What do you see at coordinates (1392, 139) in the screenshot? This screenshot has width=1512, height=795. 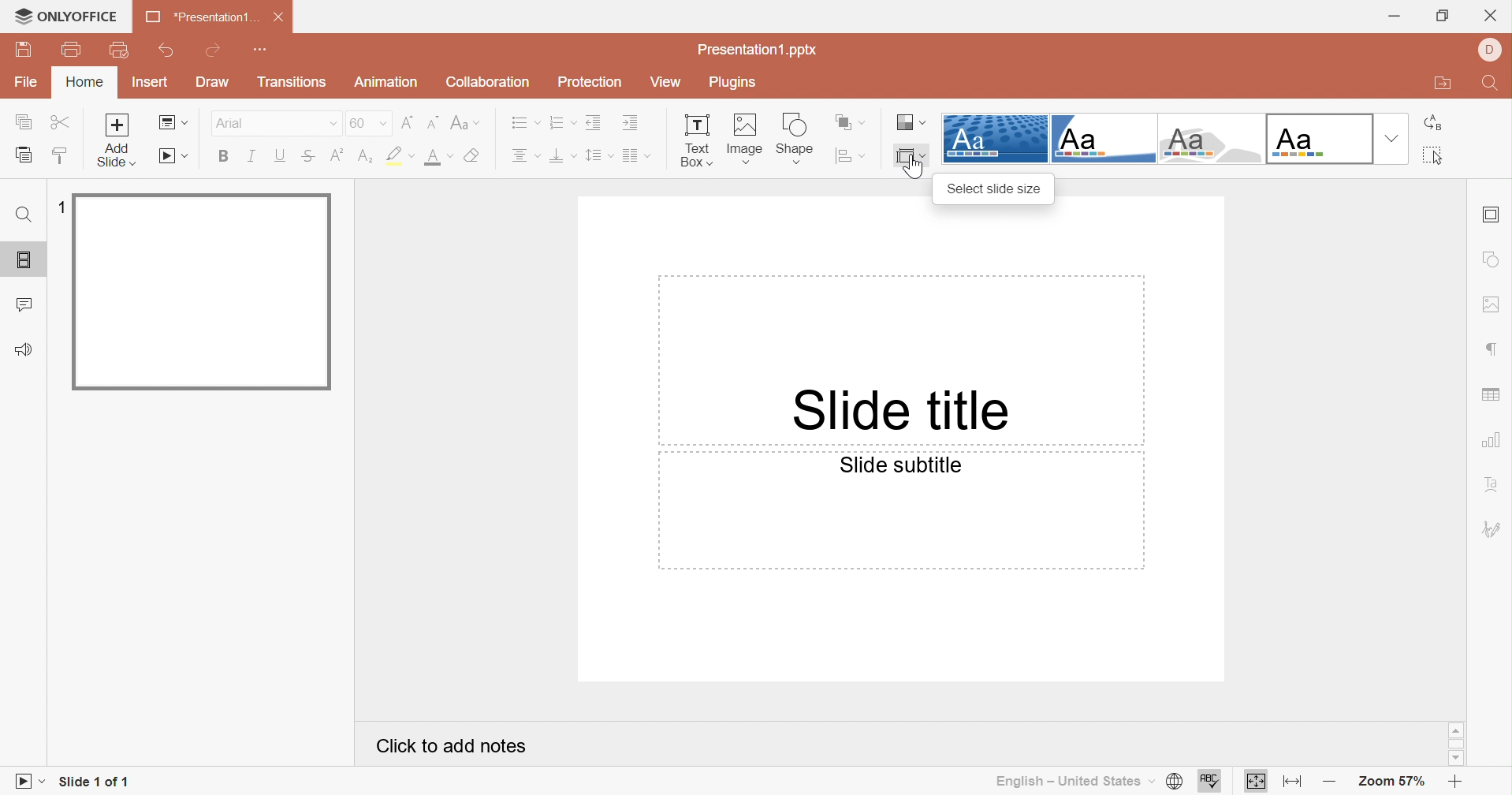 I see `Drop down` at bounding box center [1392, 139].